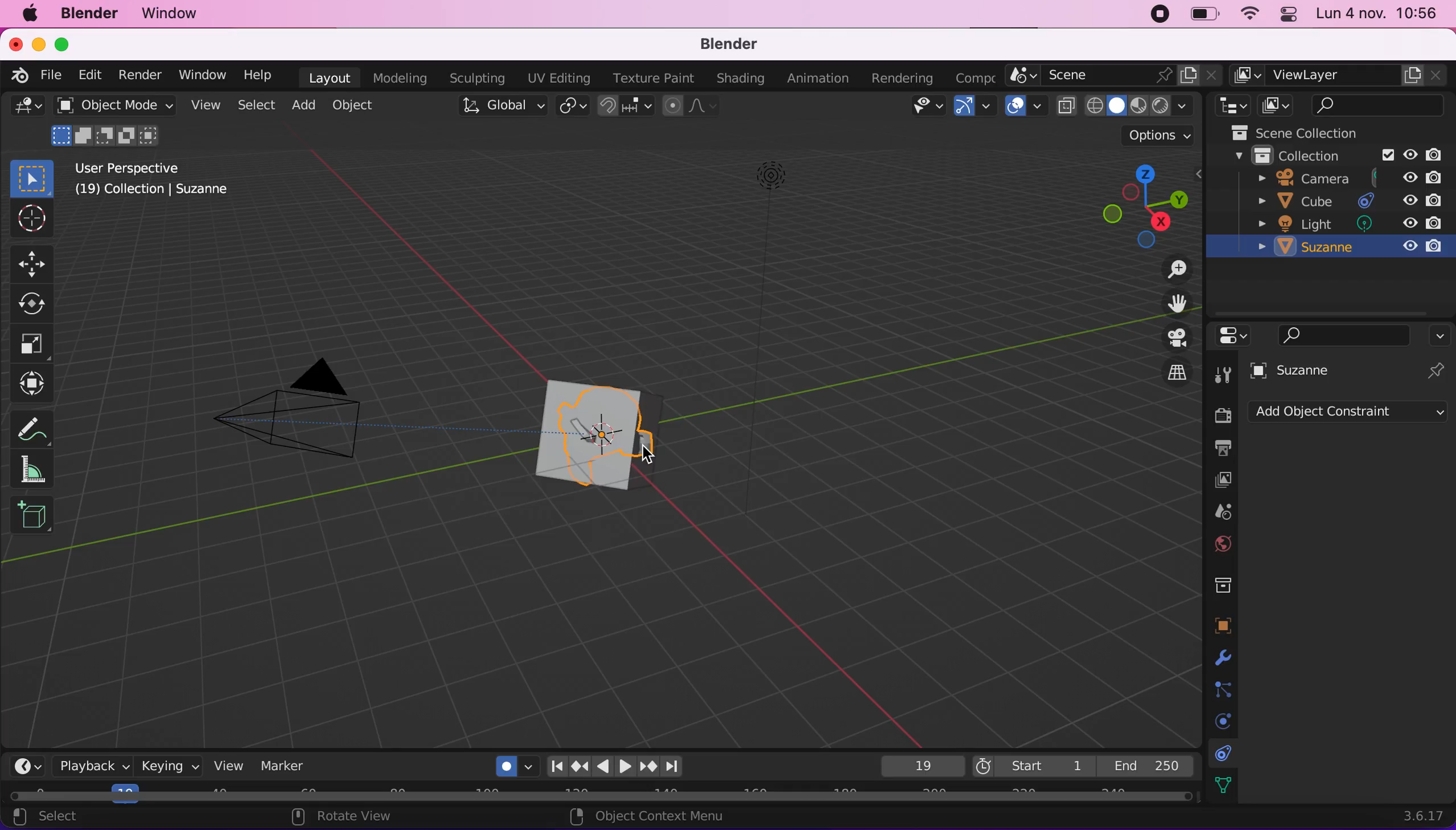  I want to click on rotate, so click(35, 304).